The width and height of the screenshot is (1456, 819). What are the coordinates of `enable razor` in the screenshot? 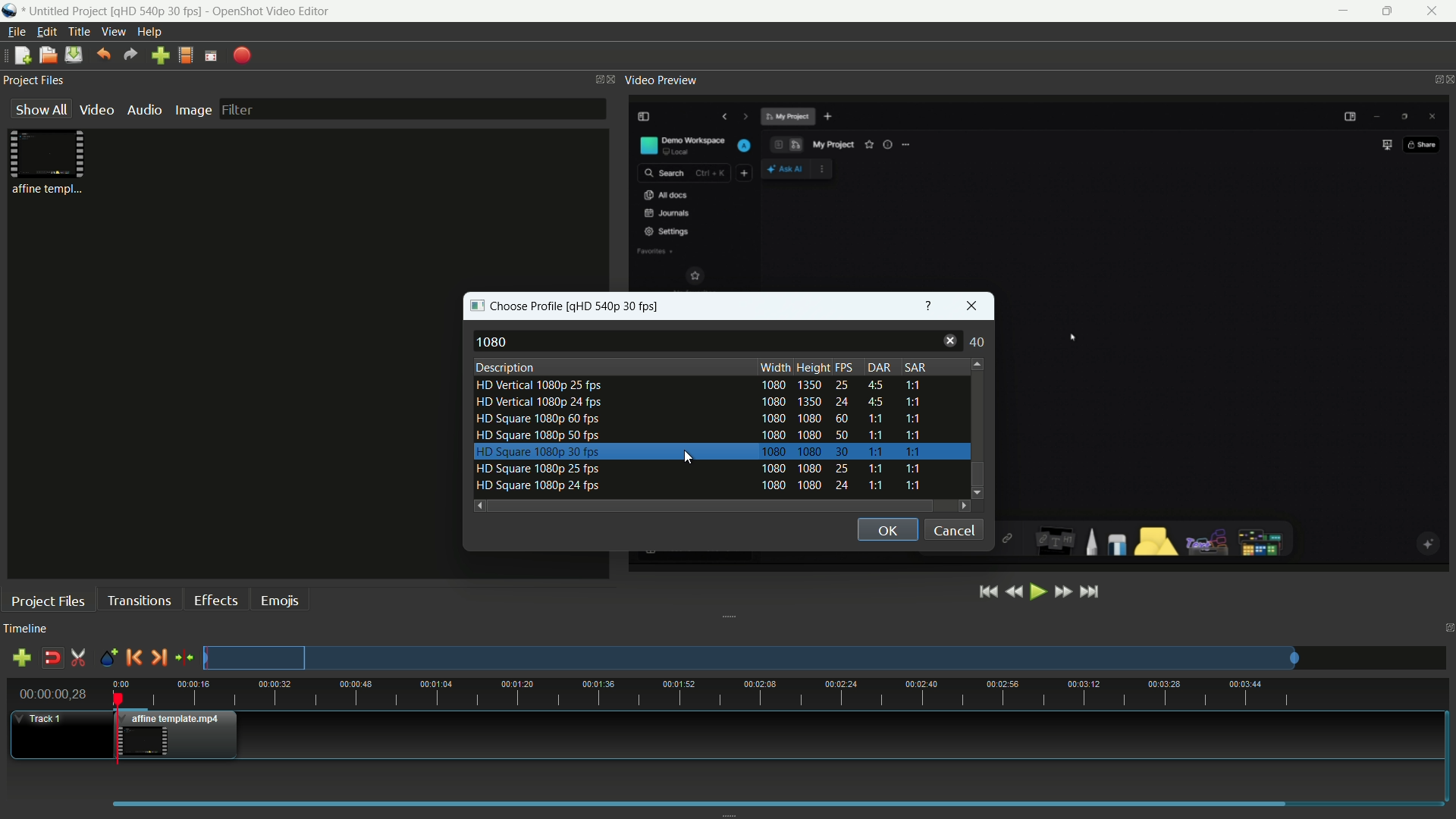 It's located at (79, 657).